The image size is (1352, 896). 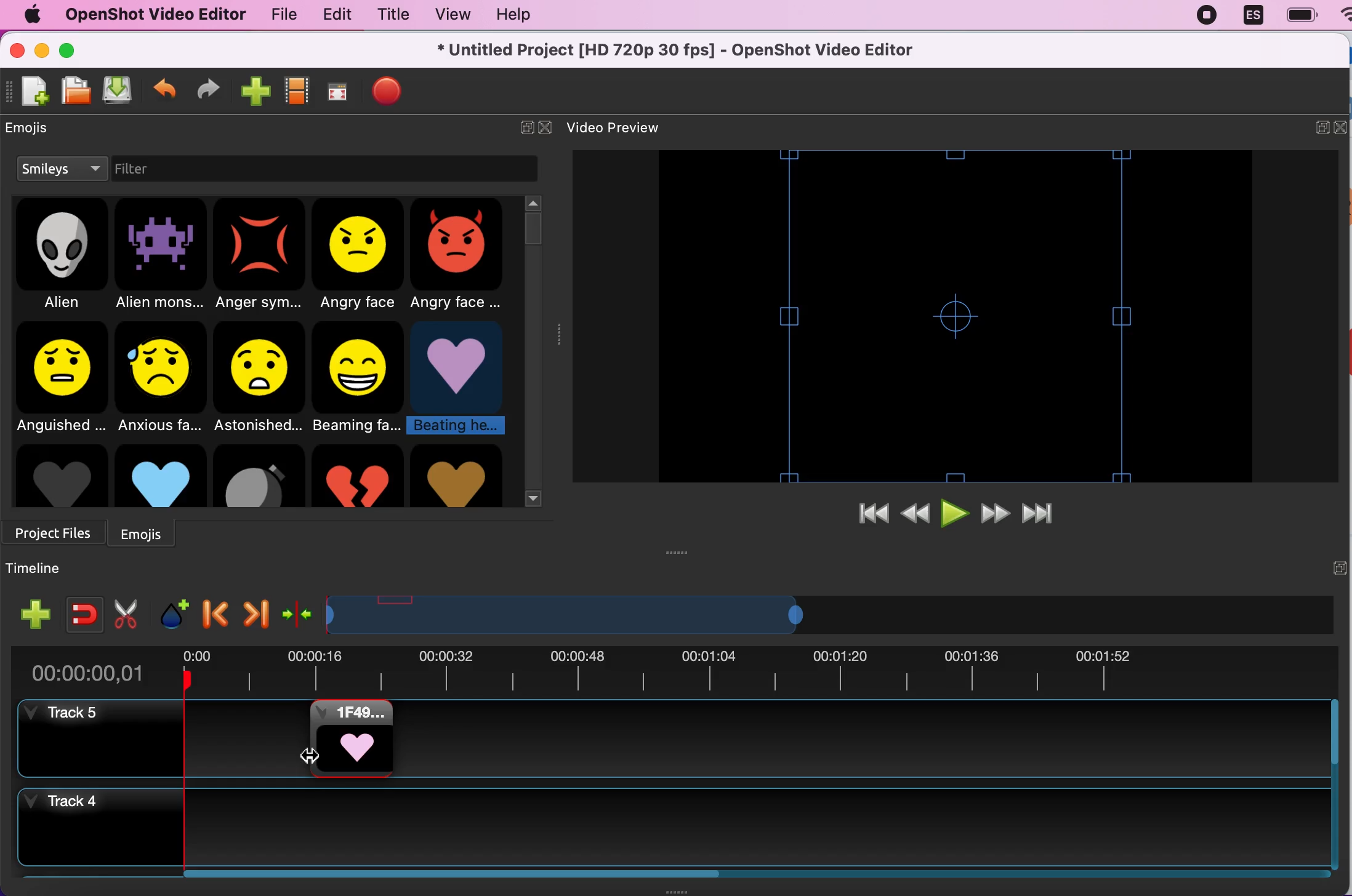 What do you see at coordinates (569, 615) in the screenshot?
I see `Expand/Shrink timeline view` at bounding box center [569, 615].